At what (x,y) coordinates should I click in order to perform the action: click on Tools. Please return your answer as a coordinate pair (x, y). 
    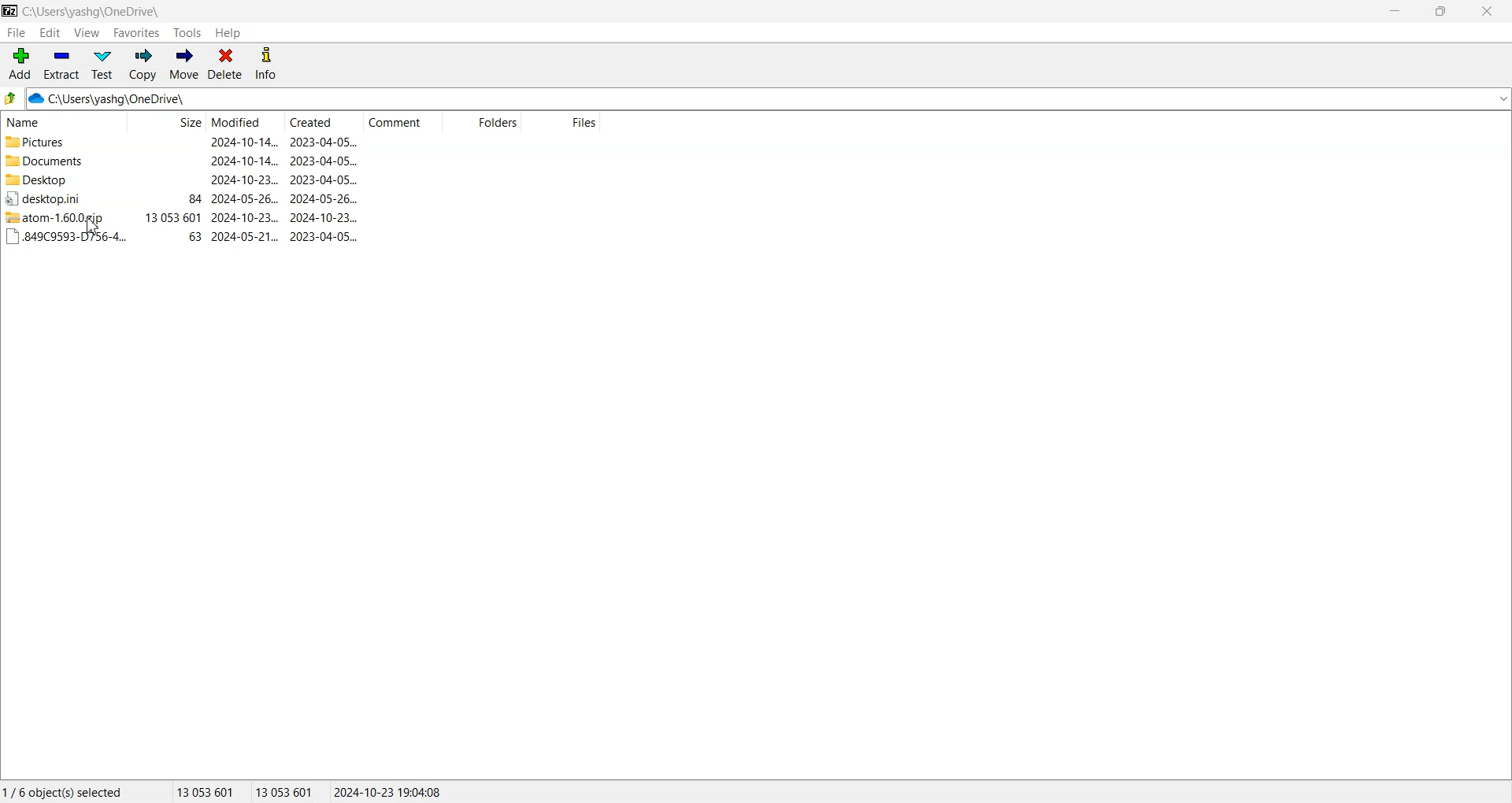
    Looking at the image, I should click on (188, 33).